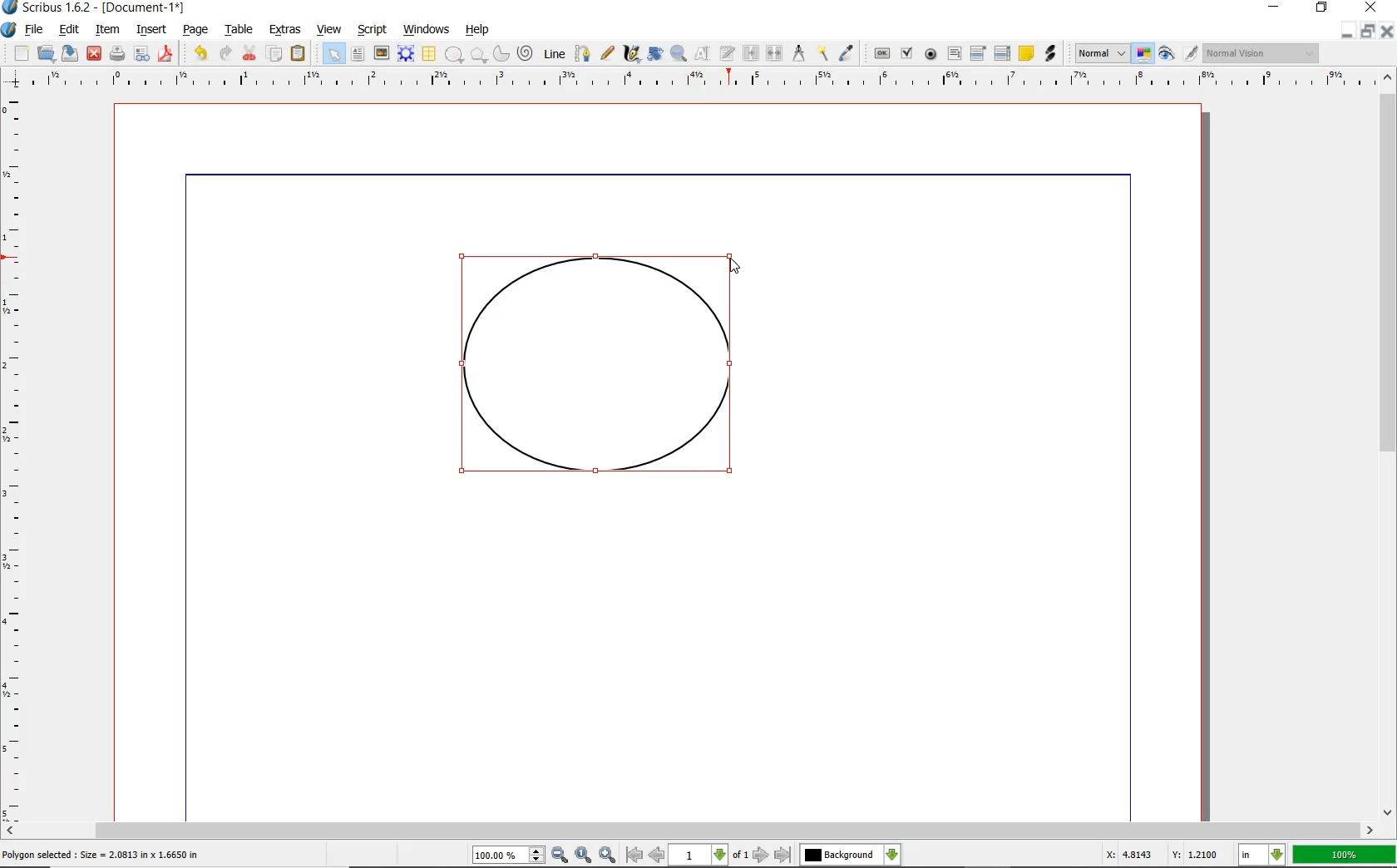 This screenshot has width=1397, height=868. Describe the element at coordinates (167, 55) in the screenshot. I see `SAVE AS PDF` at that location.